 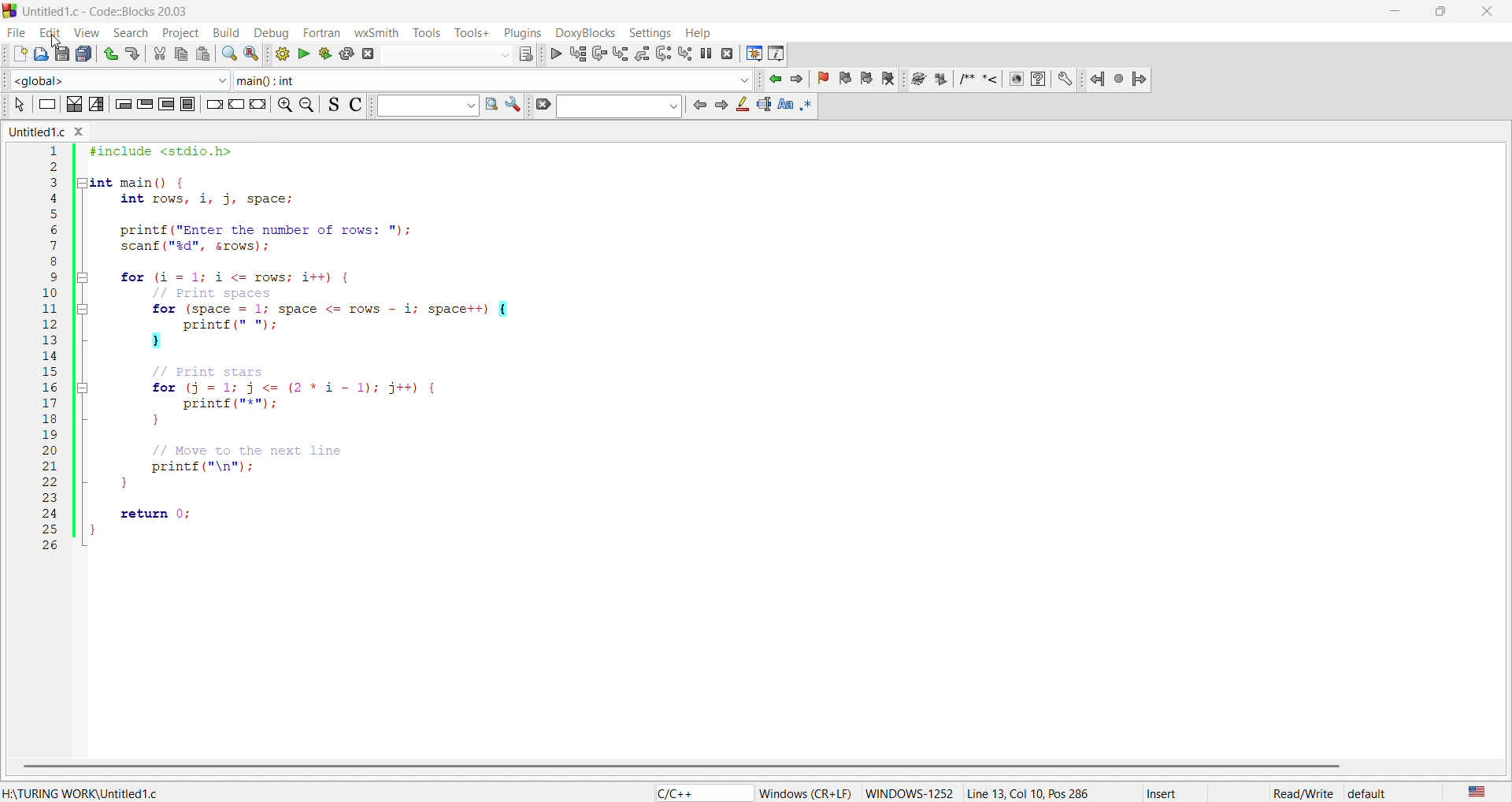 I want to click on maximize/restore, so click(x=1439, y=9).